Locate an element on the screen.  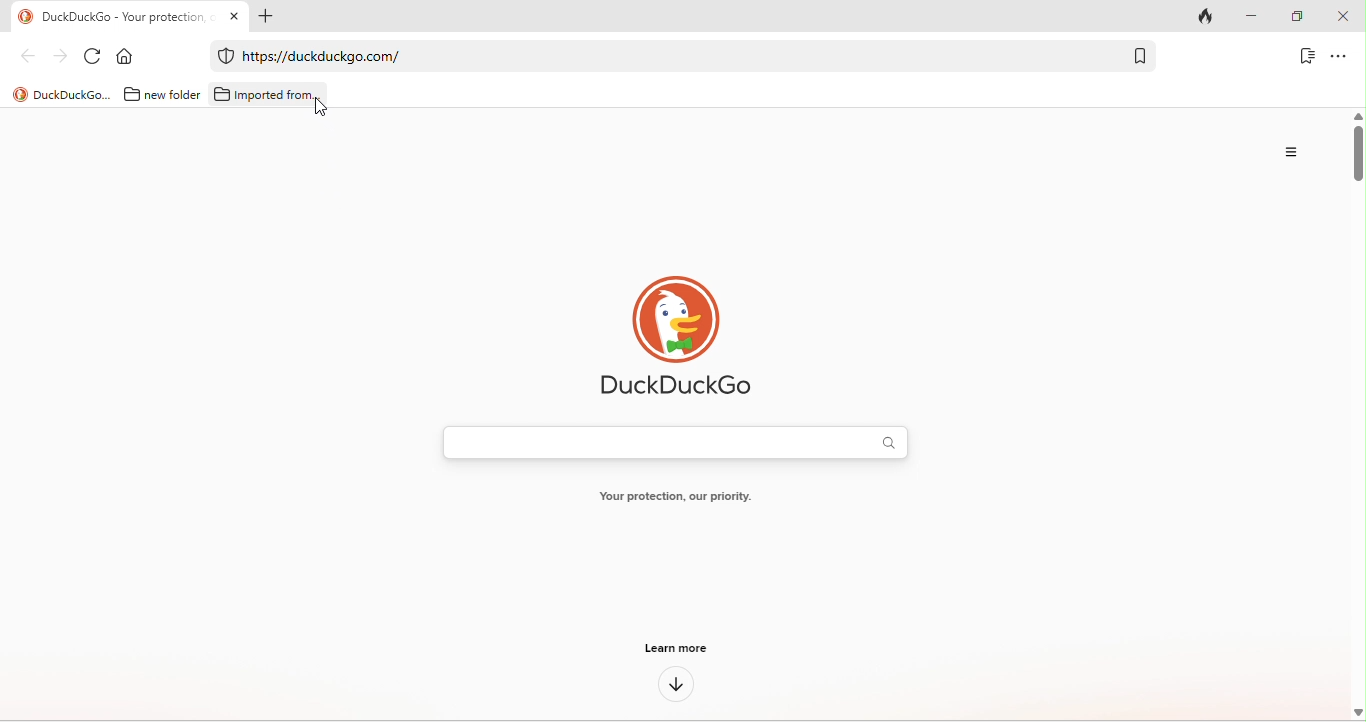
refresh is located at coordinates (92, 55).